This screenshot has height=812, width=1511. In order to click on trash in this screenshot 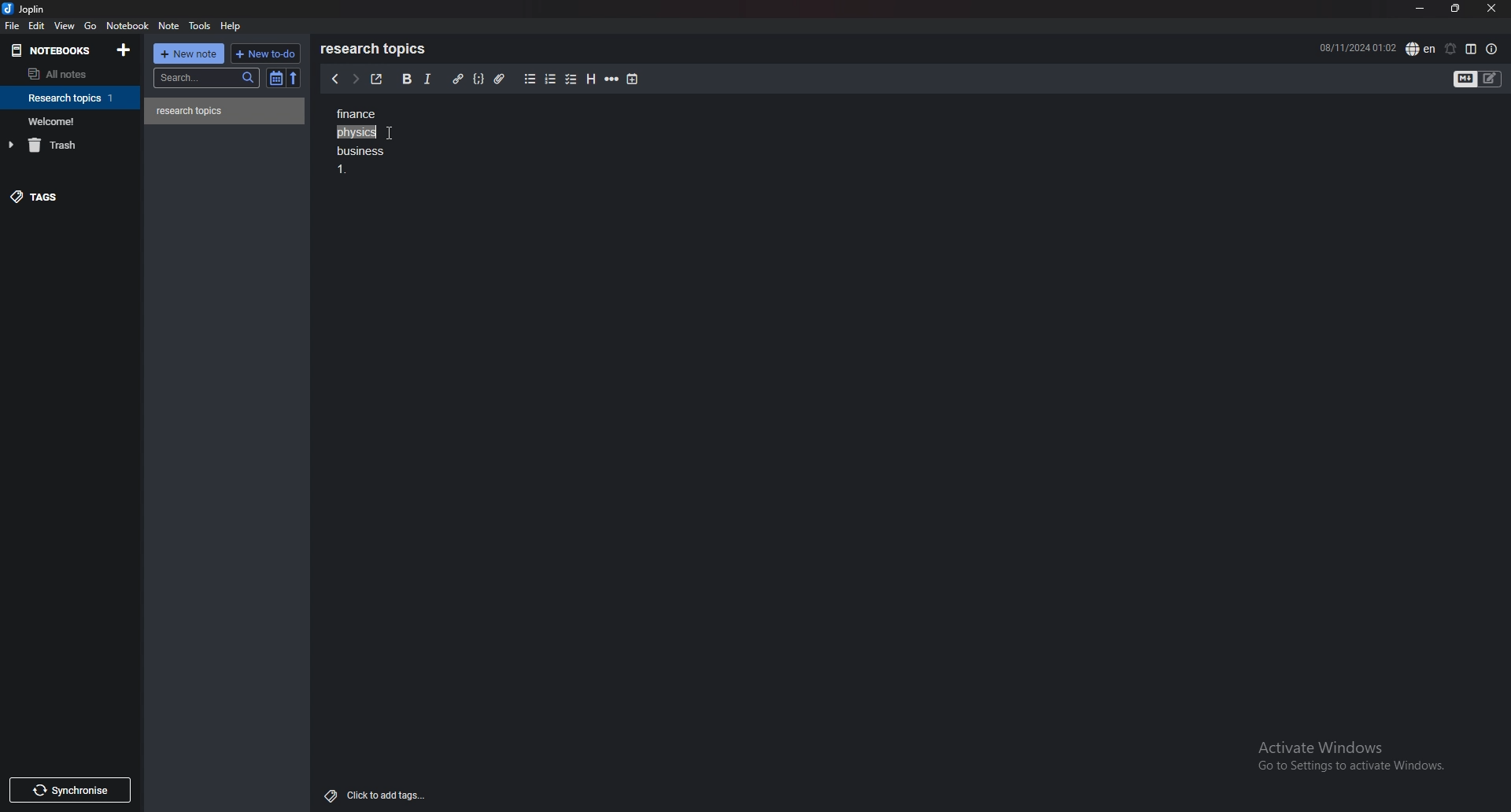, I will do `click(73, 145)`.